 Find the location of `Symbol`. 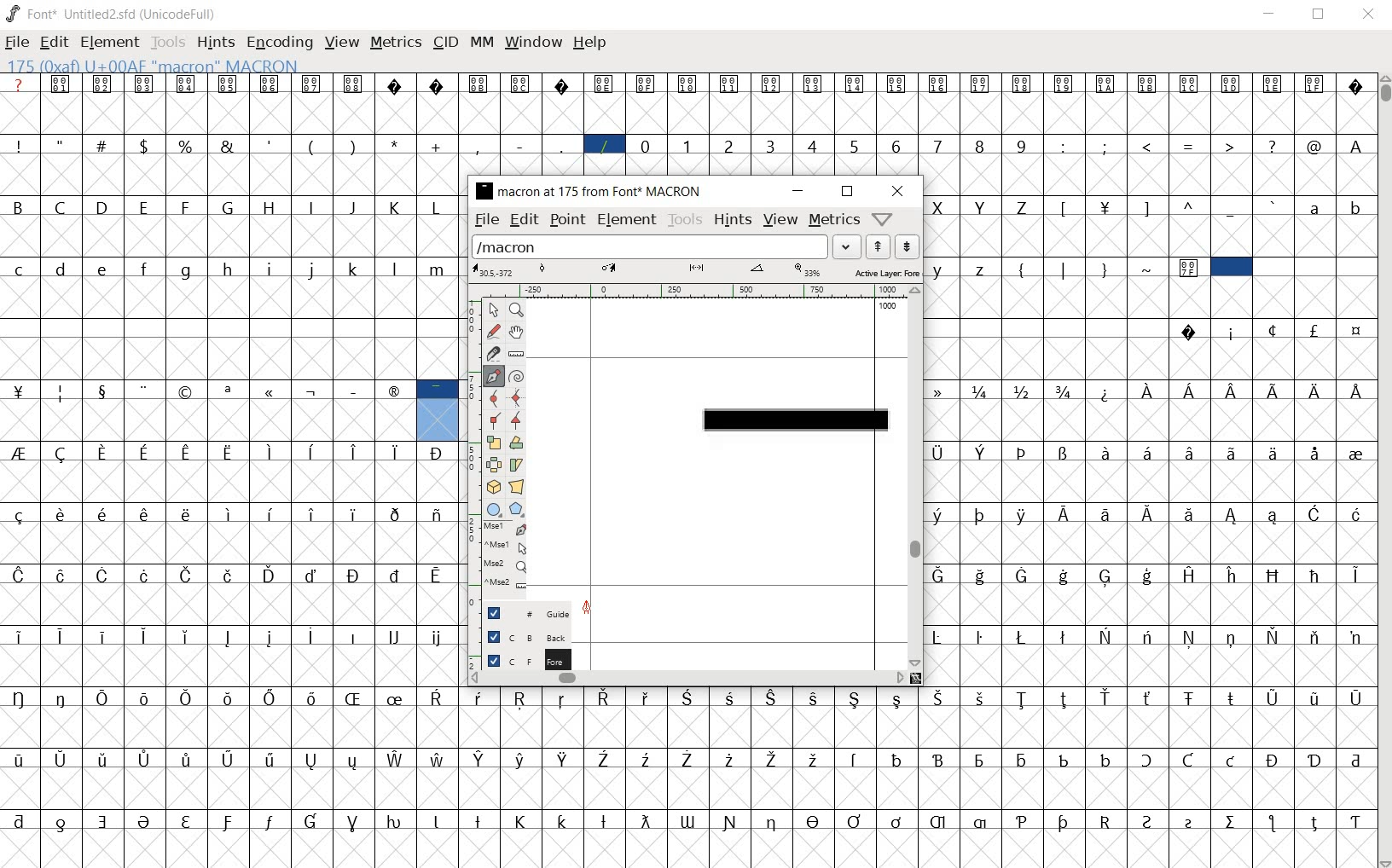

Symbol is located at coordinates (146, 84).